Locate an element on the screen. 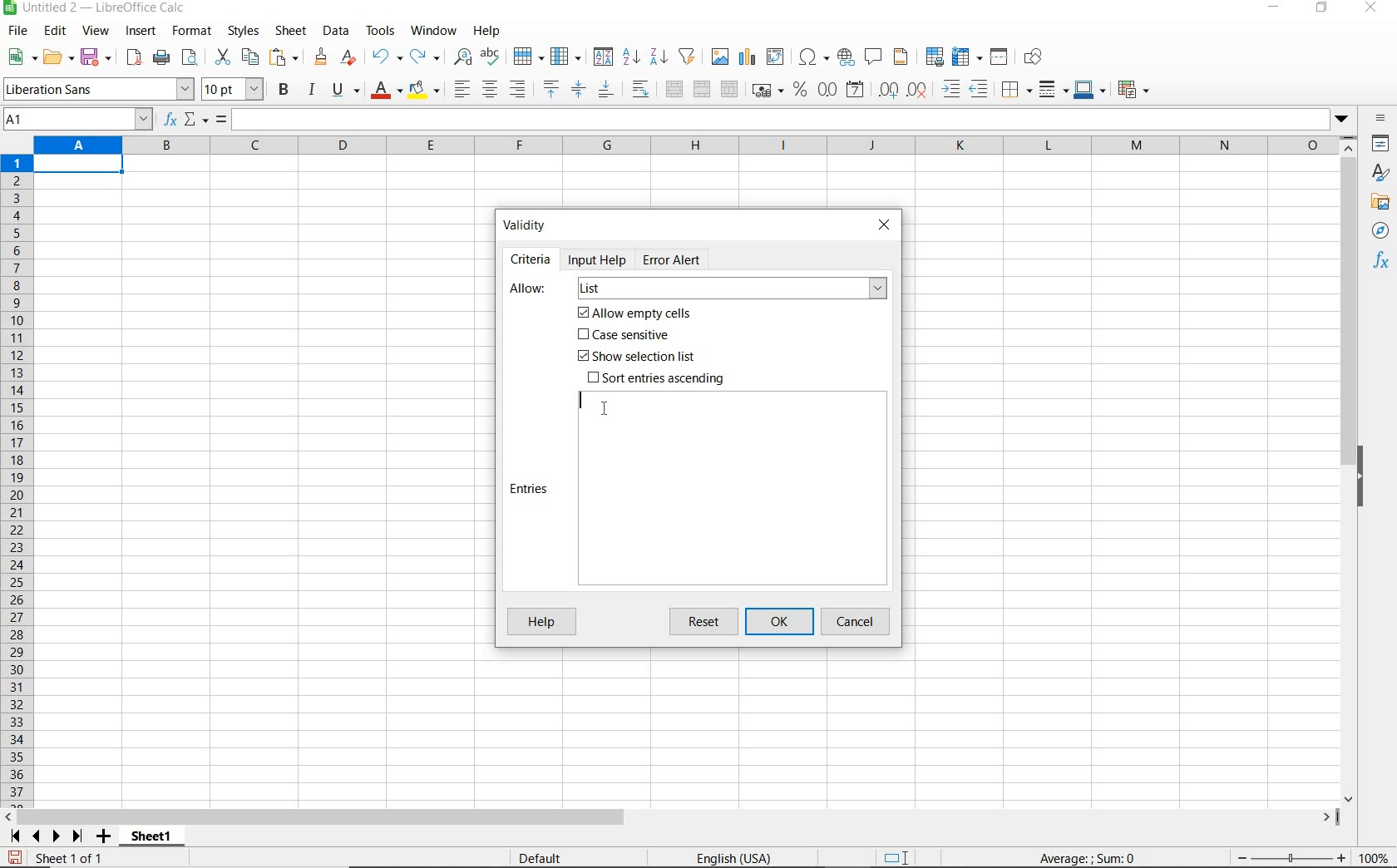 The height and width of the screenshot is (868, 1397). align left is located at coordinates (461, 91).